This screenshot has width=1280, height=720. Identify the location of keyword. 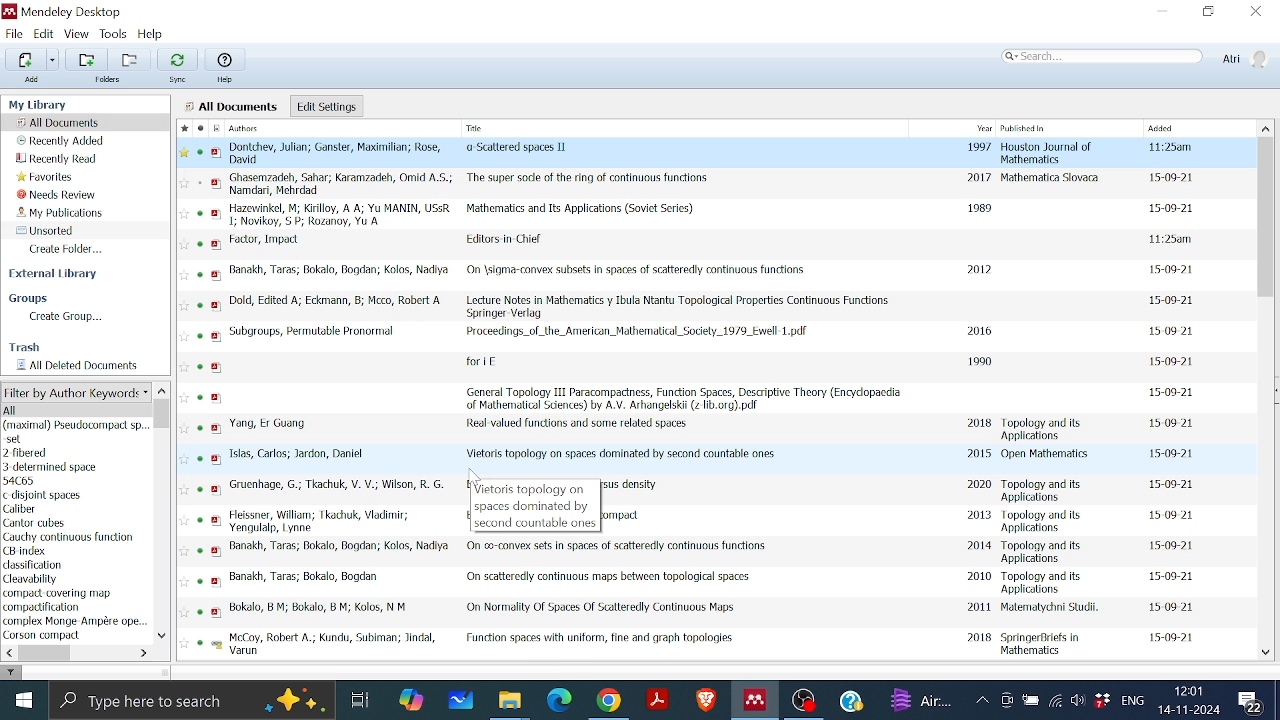
(35, 580).